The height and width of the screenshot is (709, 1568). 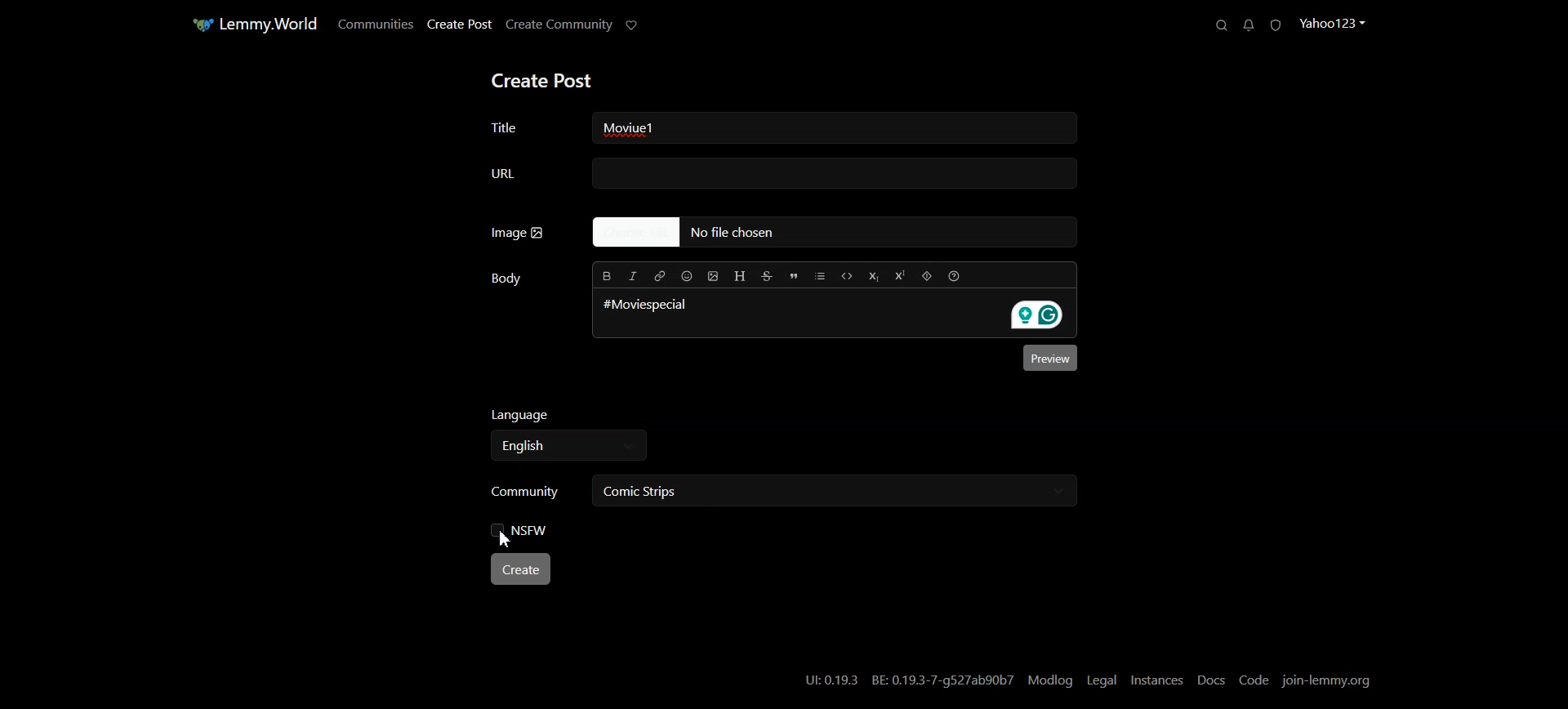 What do you see at coordinates (506, 279) in the screenshot?
I see `Body` at bounding box center [506, 279].